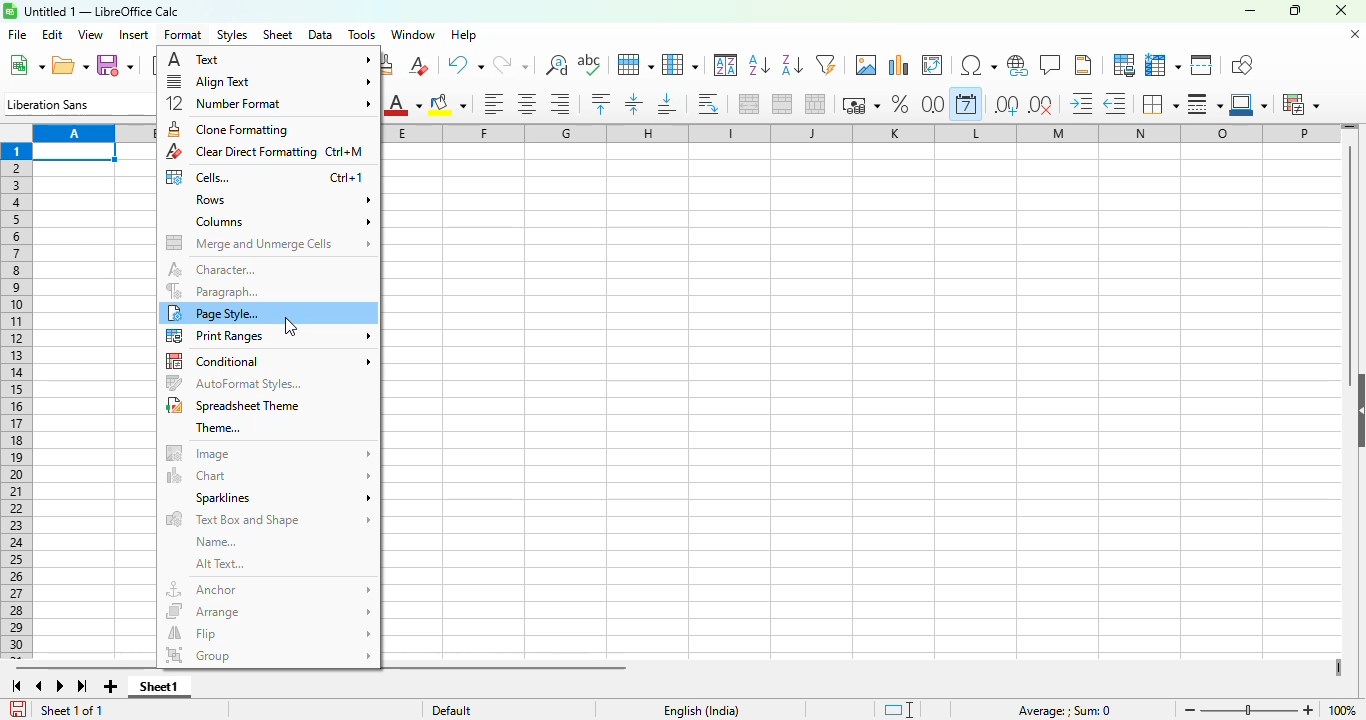 The width and height of the screenshot is (1366, 720). I want to click on click to save the document, so click(19, 709).